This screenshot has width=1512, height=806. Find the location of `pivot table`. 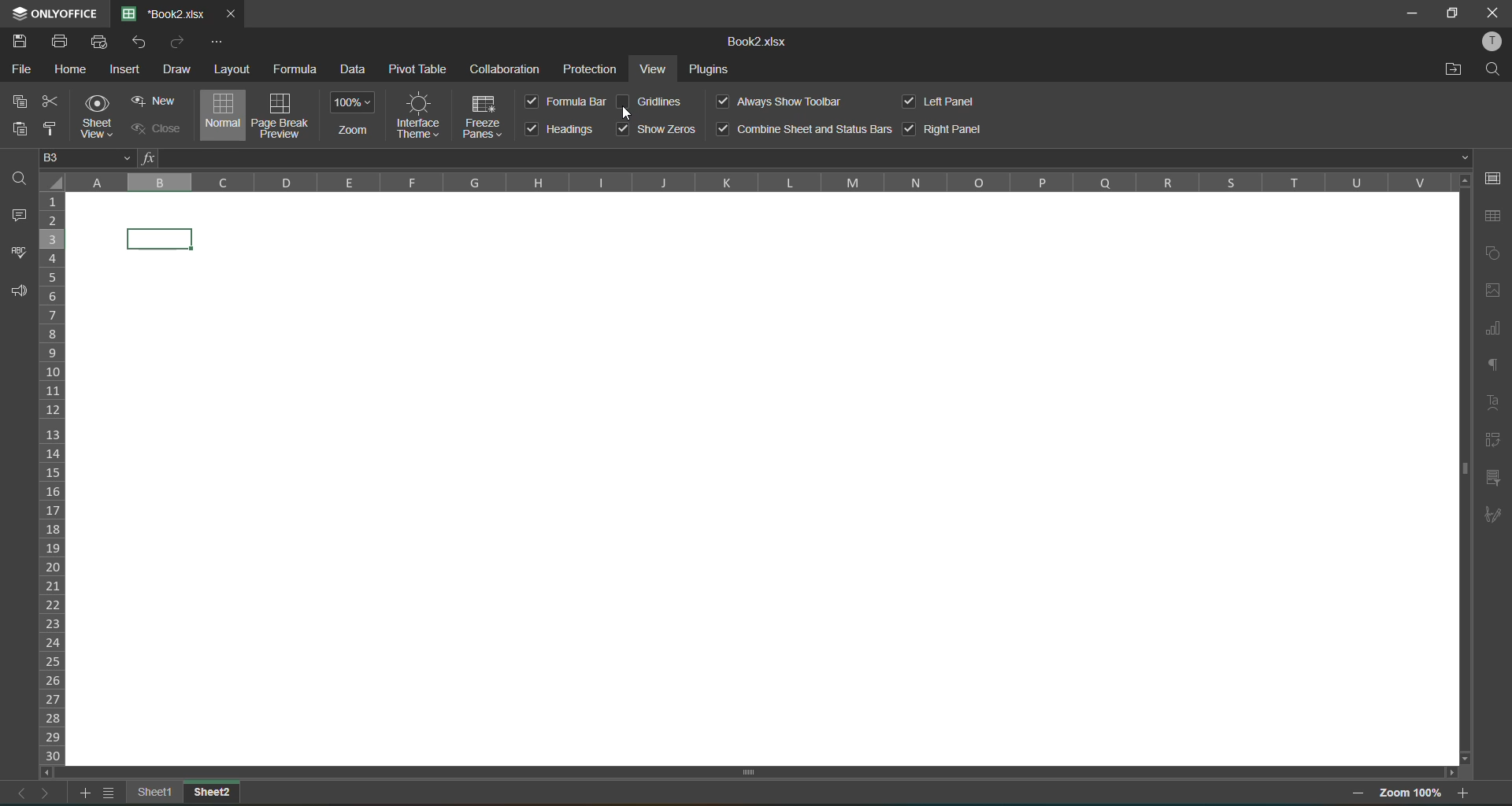

pivot table is located at coordinates (417, 70).